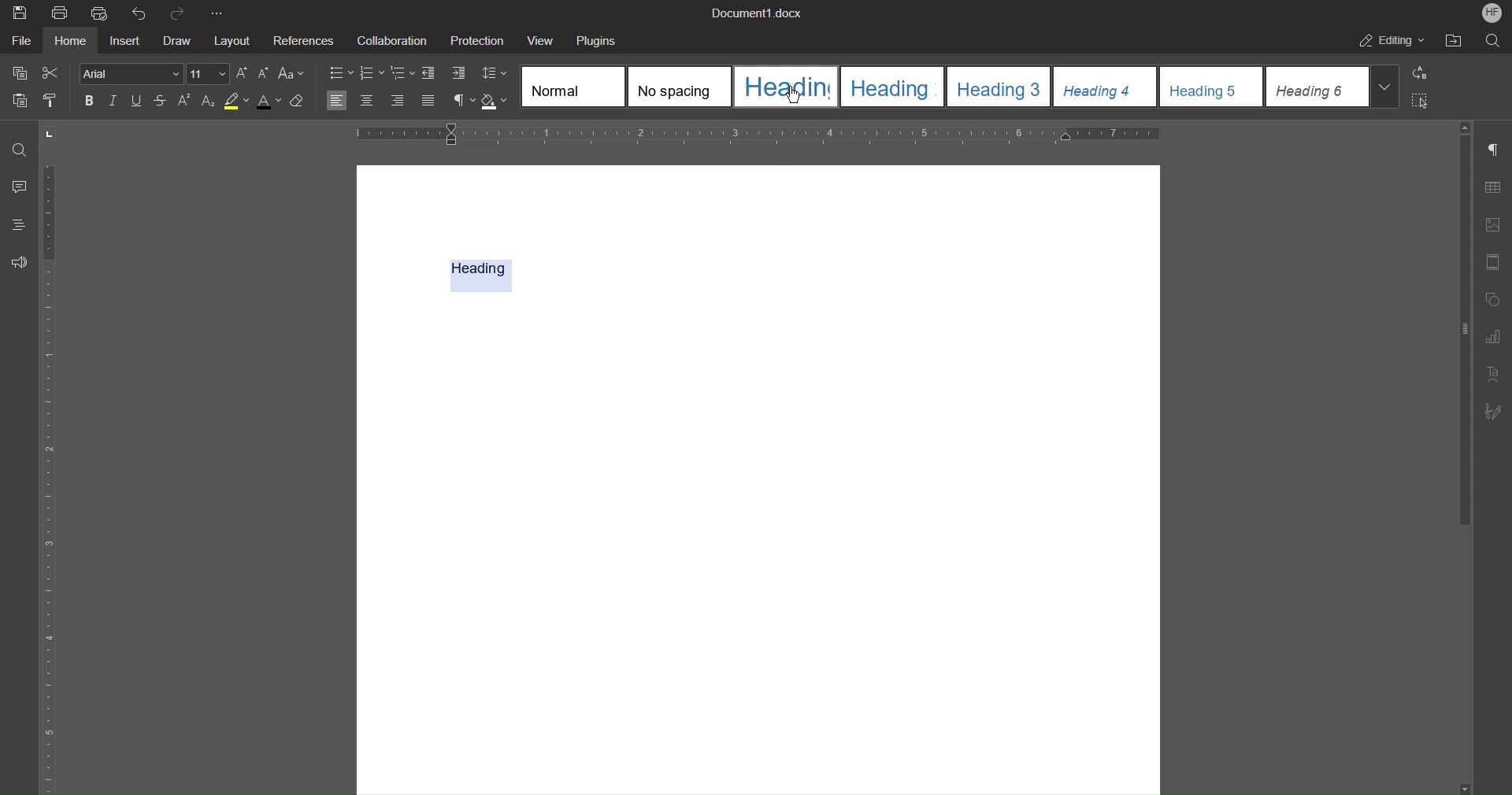  Describe the element at coordinates (432, 73) in the screenshot. I see `Decrease Indent` at that location.